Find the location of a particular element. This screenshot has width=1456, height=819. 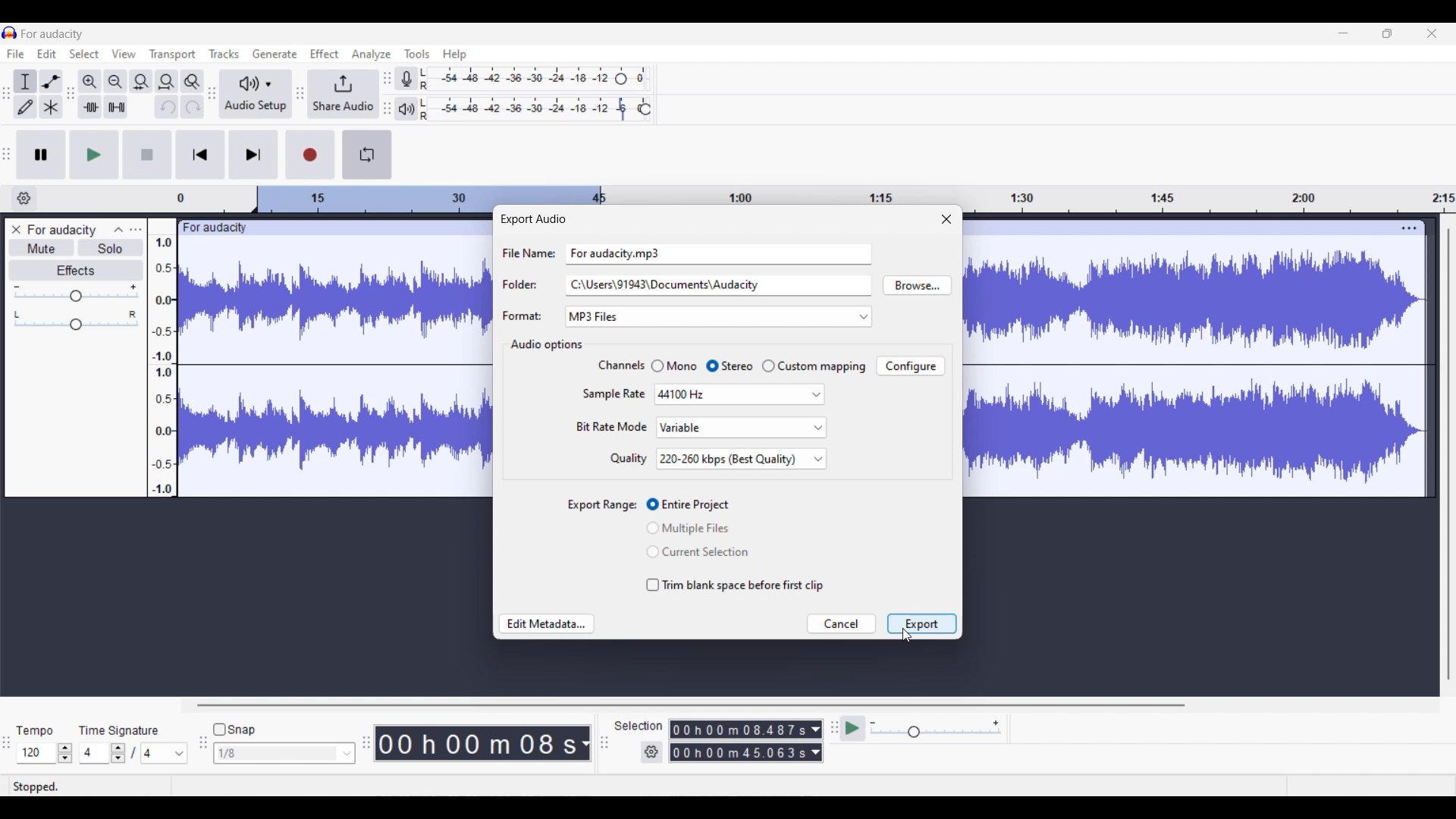

Selection duration is located at coordinates (739, 730).